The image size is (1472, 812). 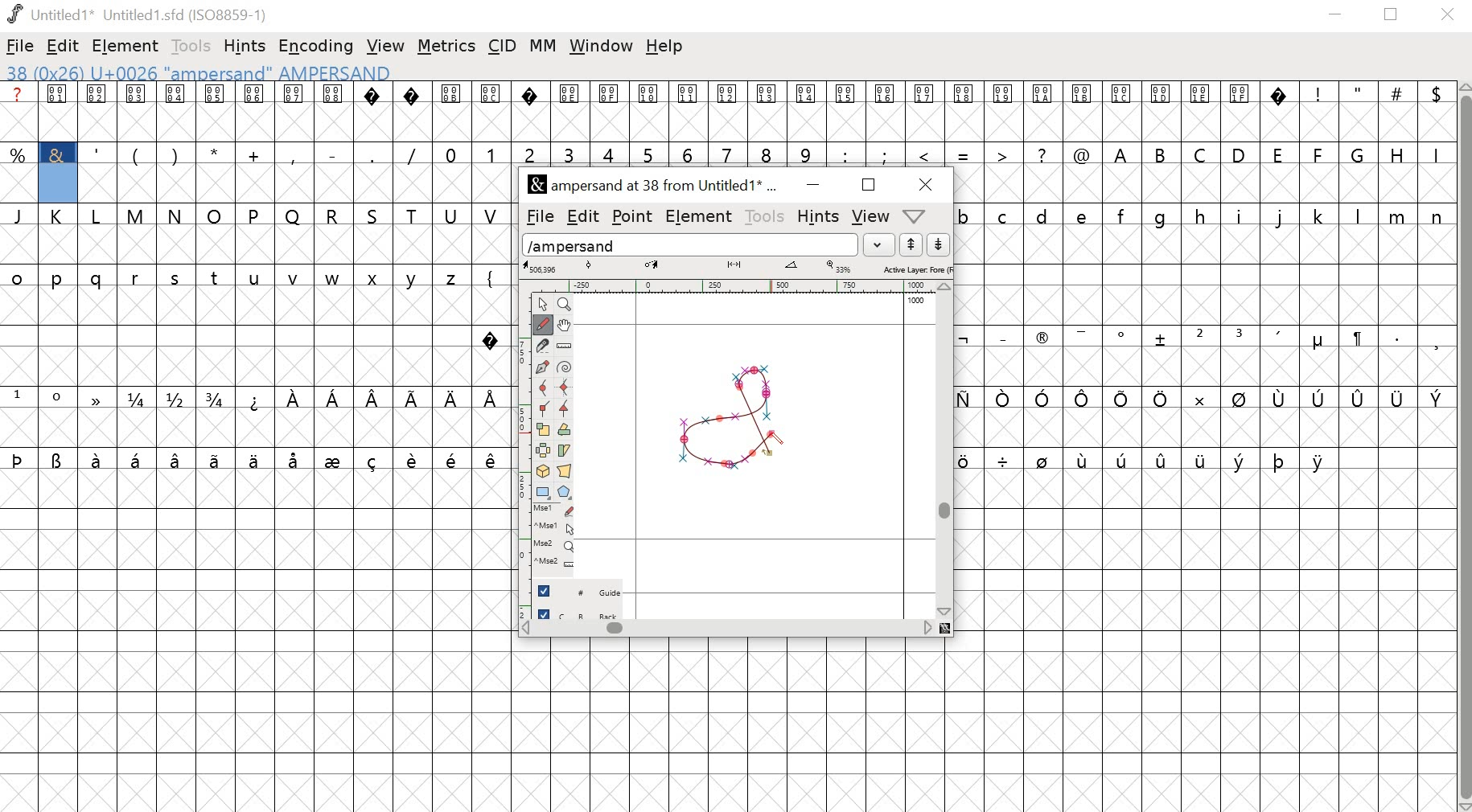 I want to click on 000E, so click(x=569, y=112).